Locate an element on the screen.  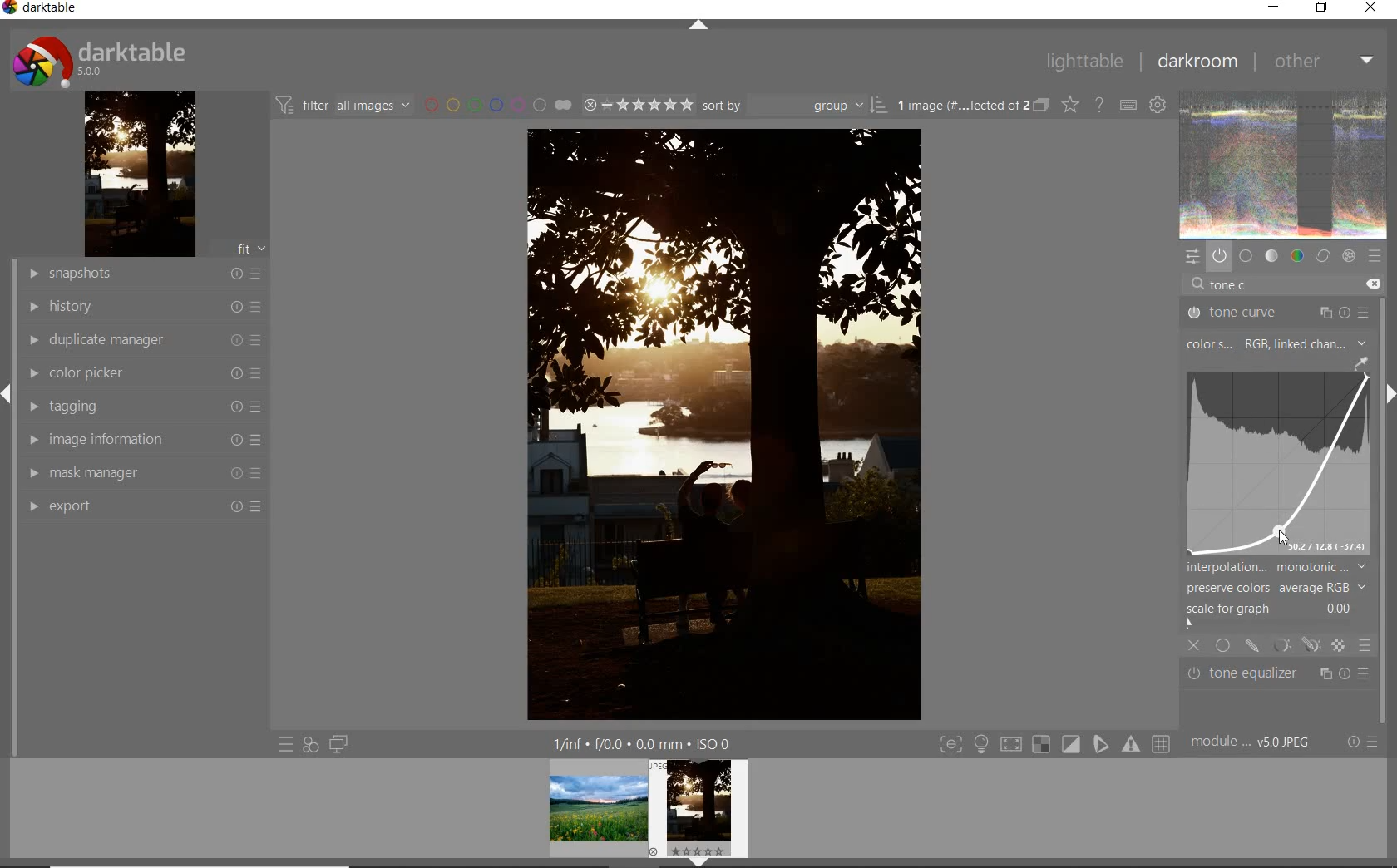
enable for online help is located at coordinates (1102, 106).